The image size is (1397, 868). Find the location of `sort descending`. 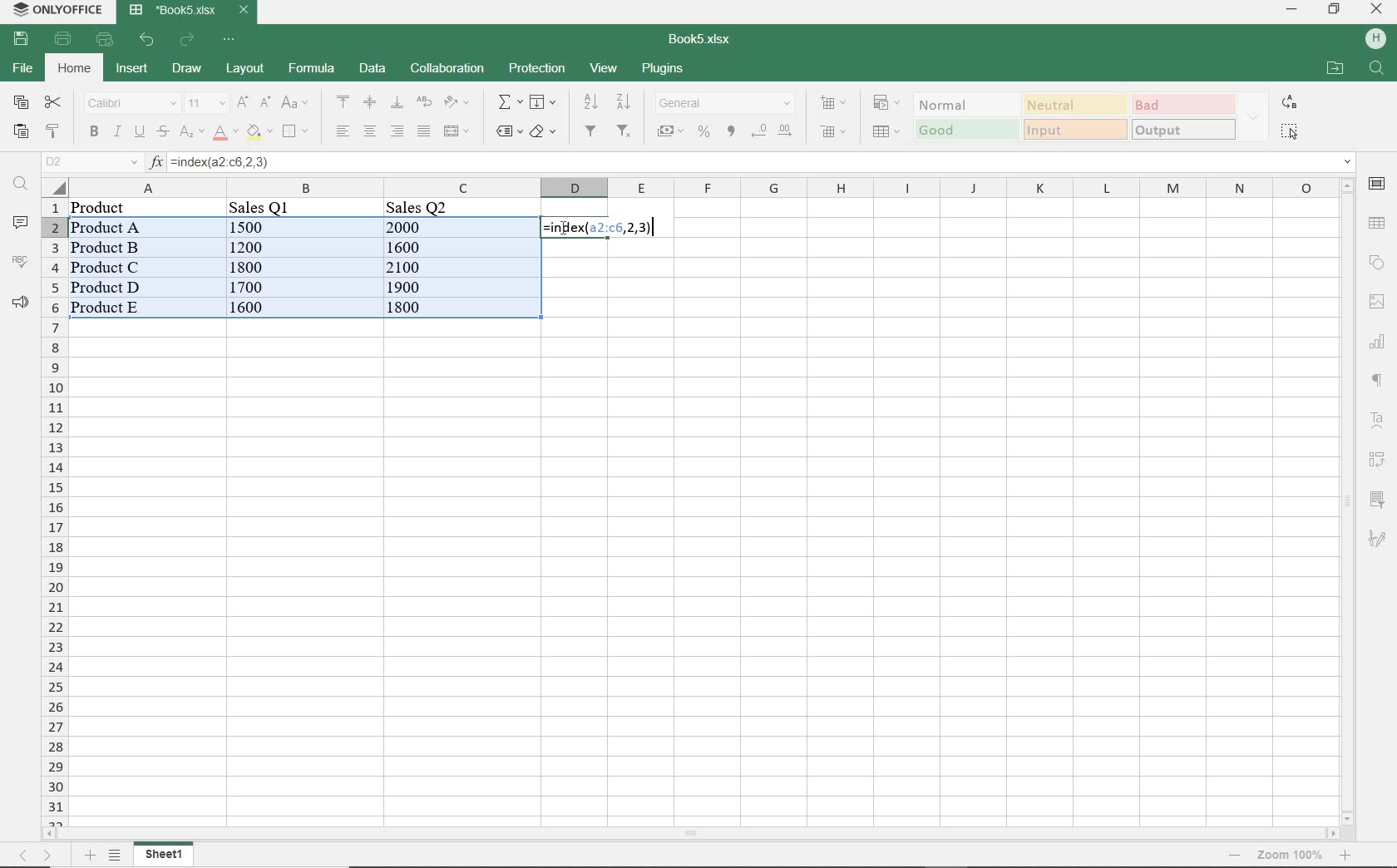

sort descending is located at coordinates (624, 101).